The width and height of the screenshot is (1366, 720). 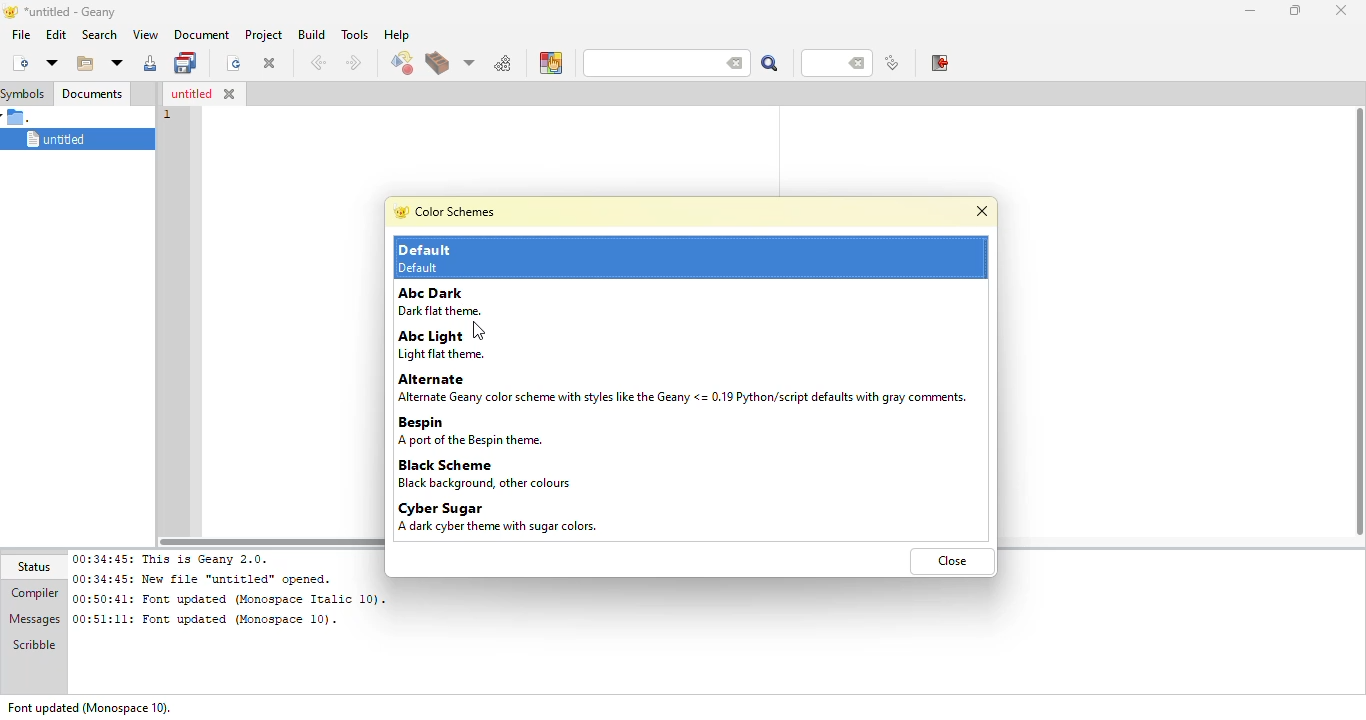 I want to click on edit, so click(x=56, y=35).